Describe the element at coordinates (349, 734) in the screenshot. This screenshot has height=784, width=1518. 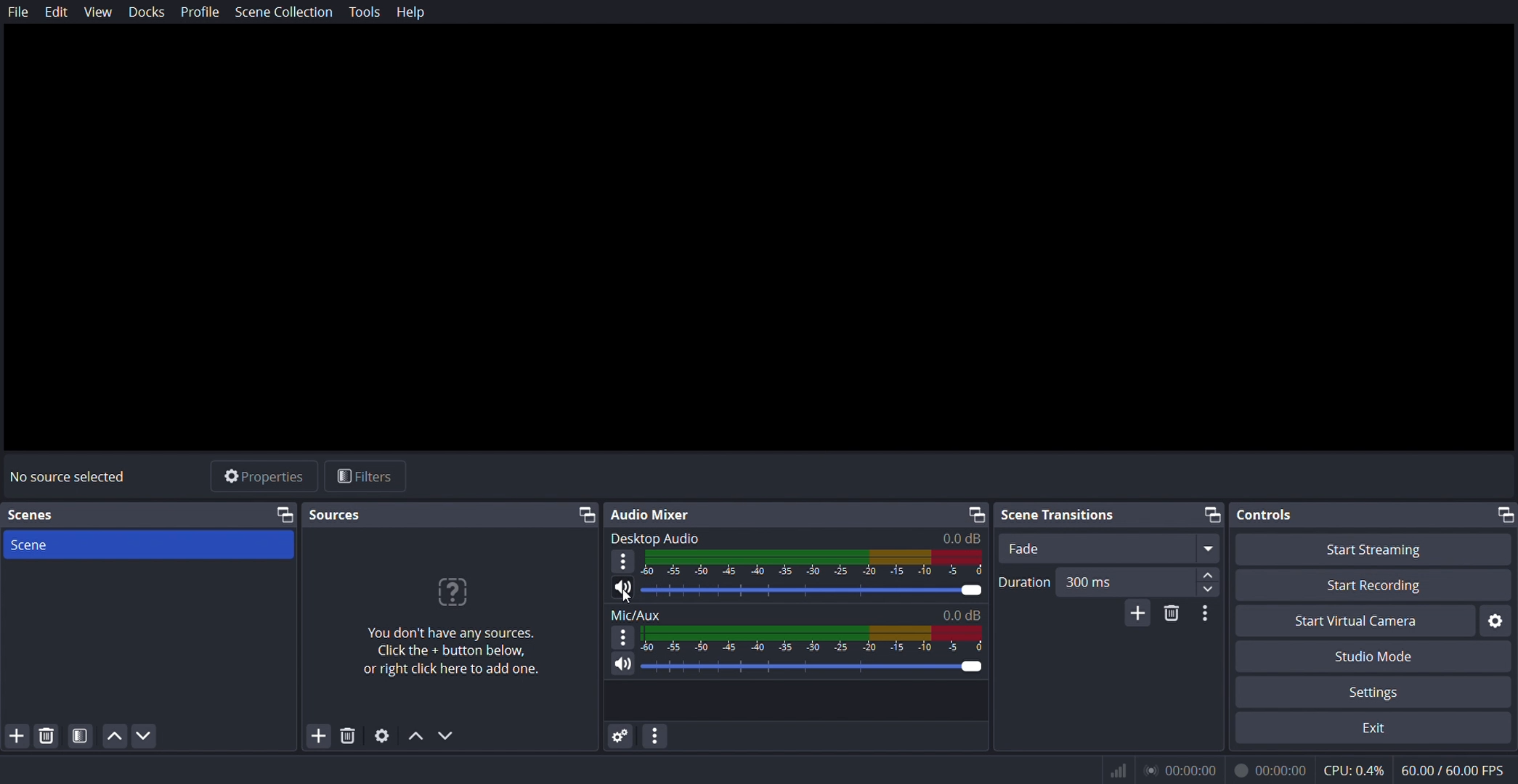
I see `delete sources` at that location.